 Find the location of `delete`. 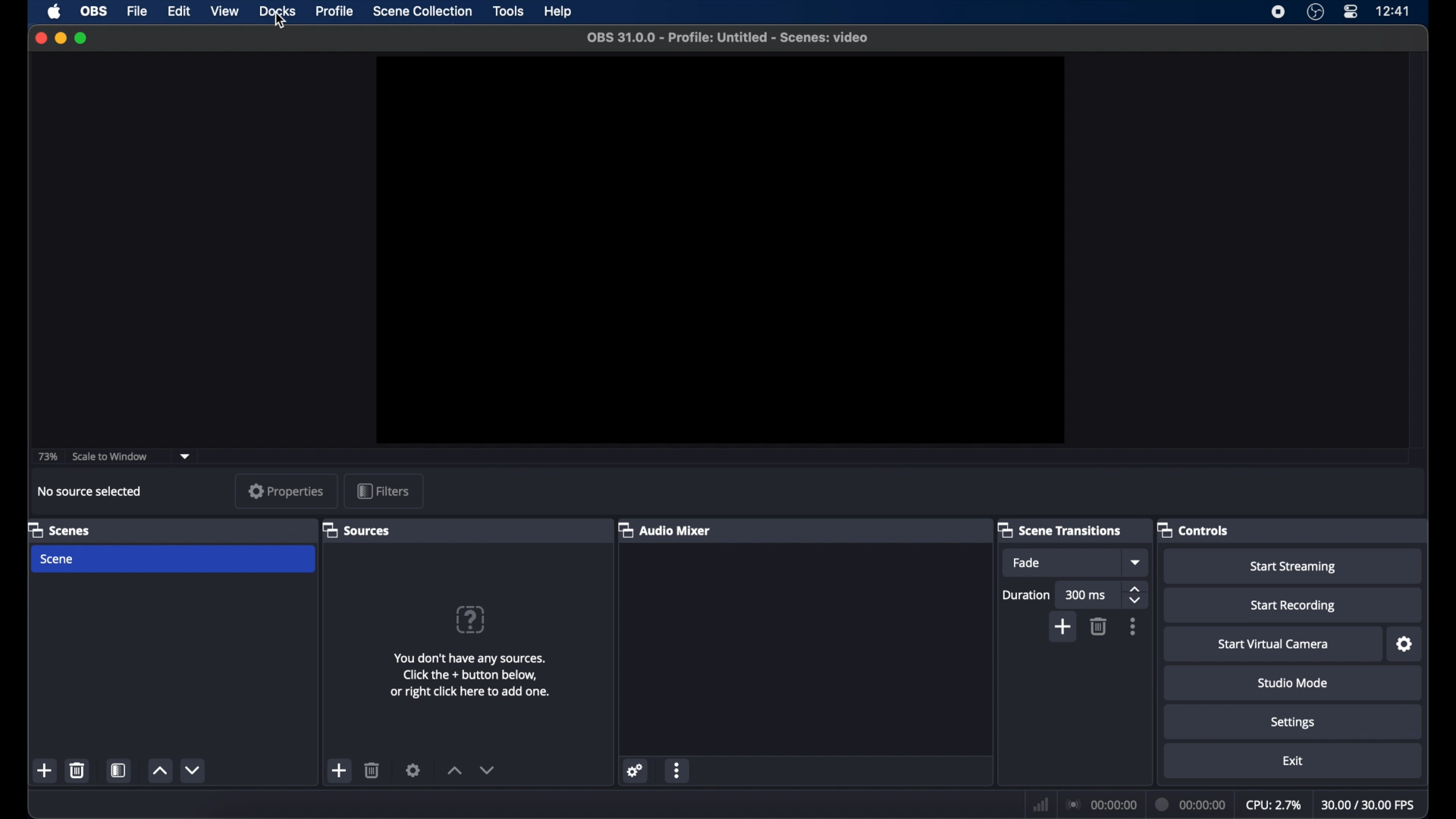

delete is located at coordinates (77, 770).